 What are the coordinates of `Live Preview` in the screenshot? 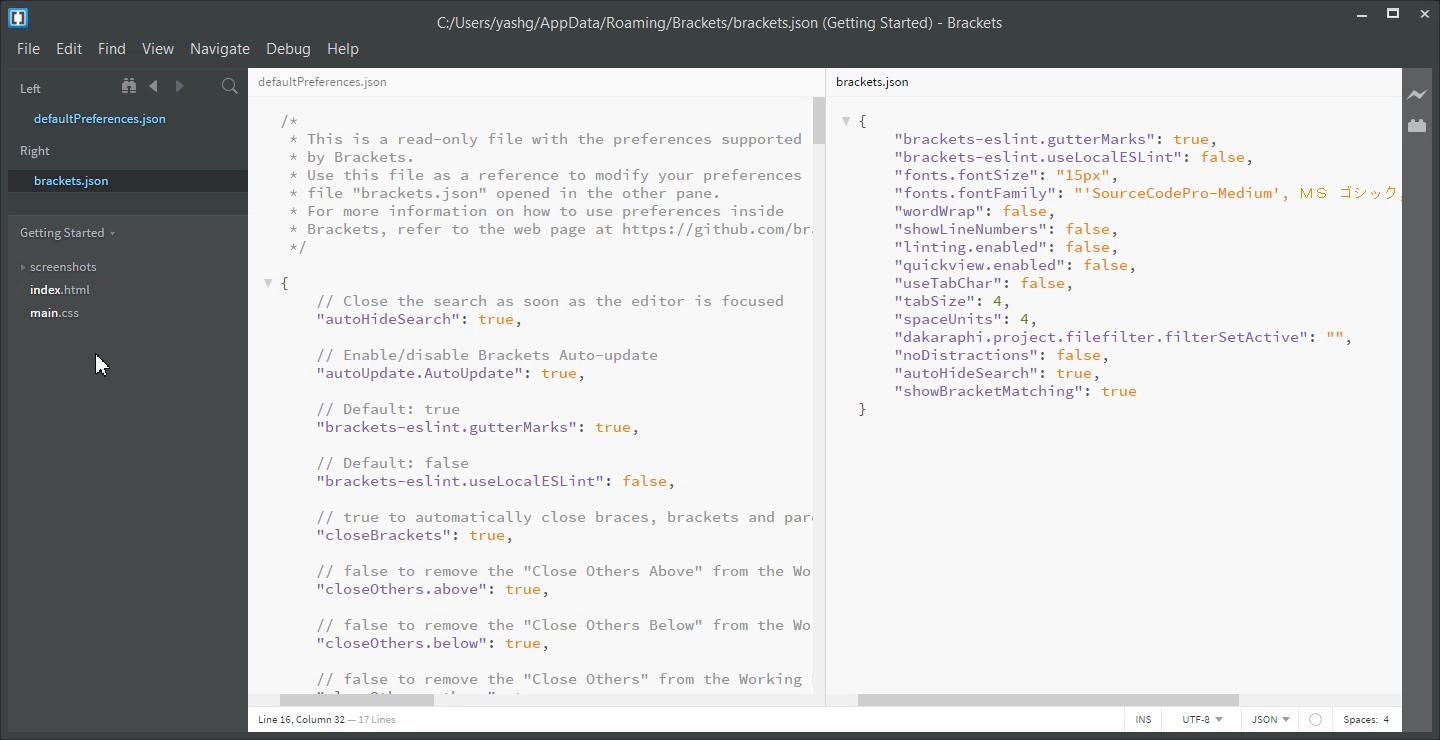 It's located at (1418, 93).